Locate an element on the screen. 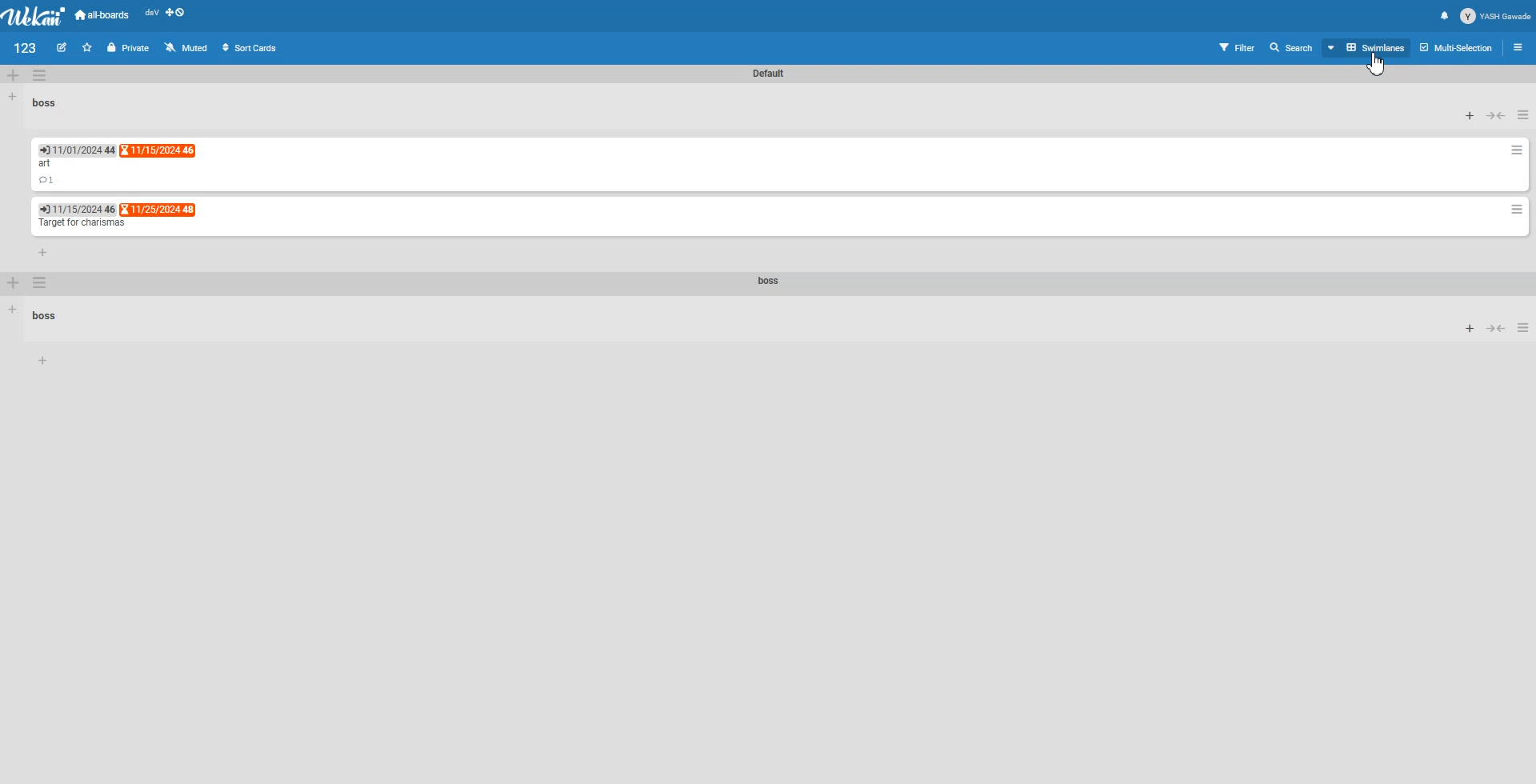  Add card to bottom of list is located at coordinates (43, 251).